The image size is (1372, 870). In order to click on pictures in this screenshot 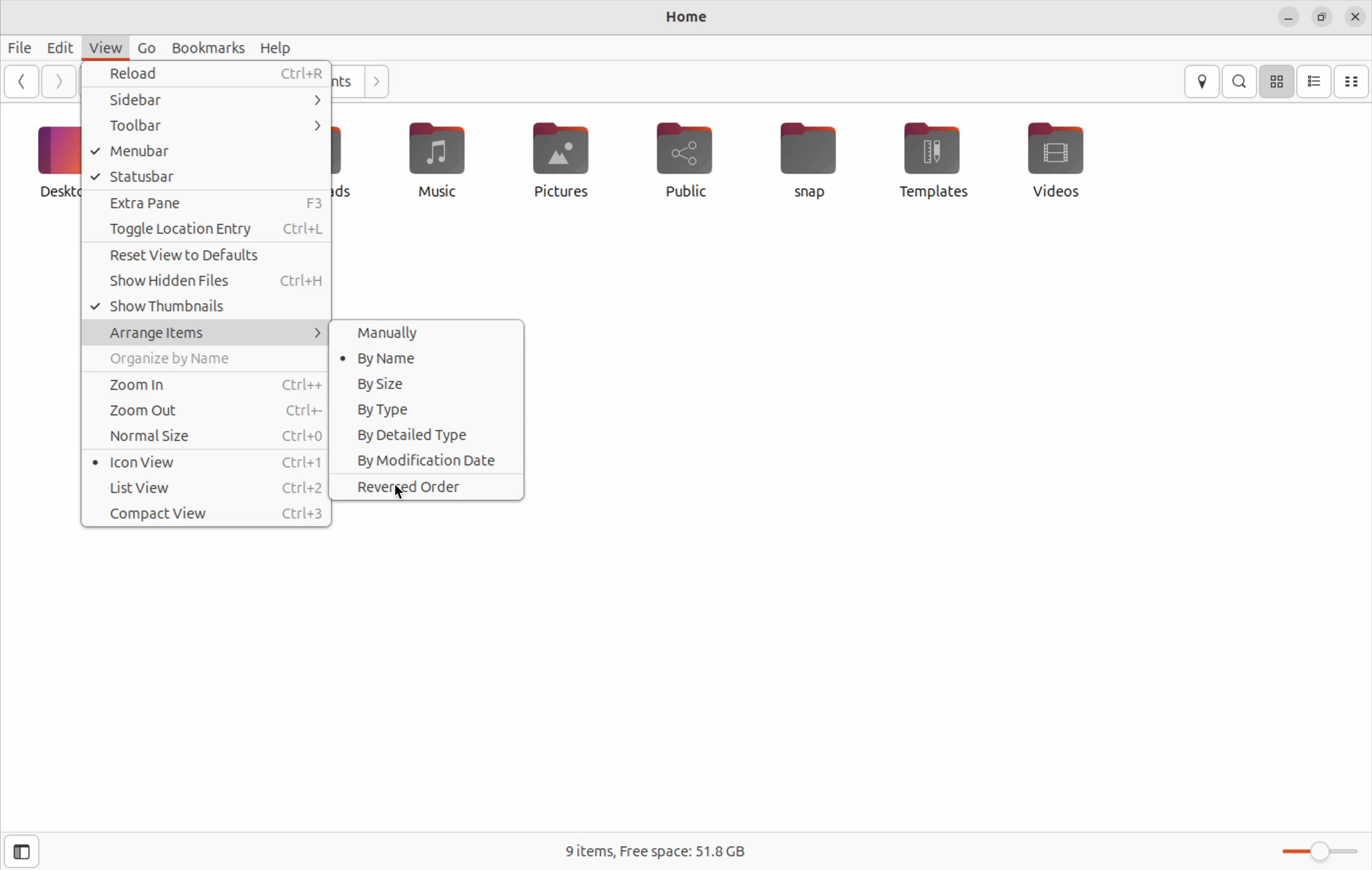, I will do `click(565, 158)`.